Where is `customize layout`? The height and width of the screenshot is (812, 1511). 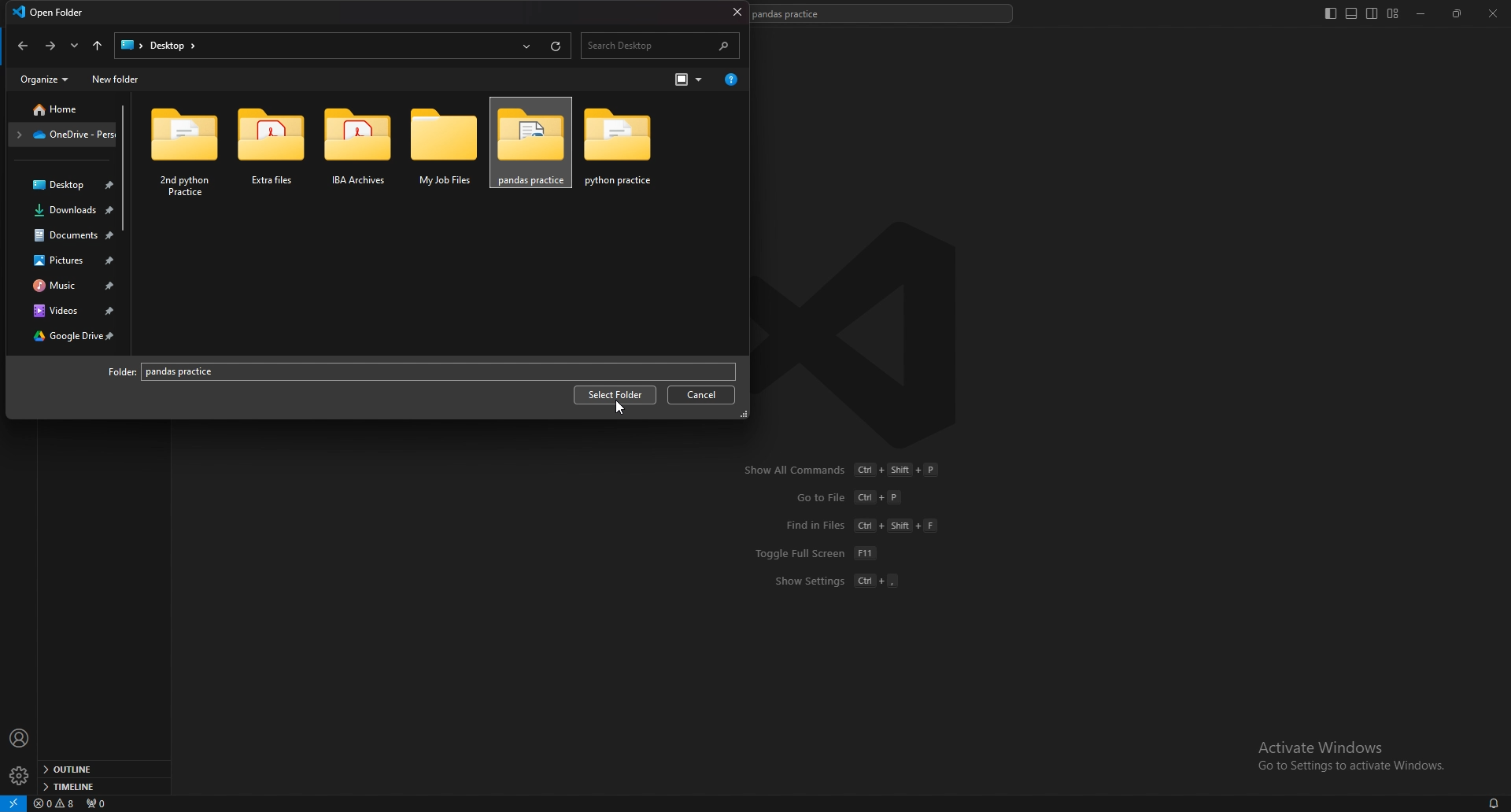 customize layout is located at coordinates (1392, 14).